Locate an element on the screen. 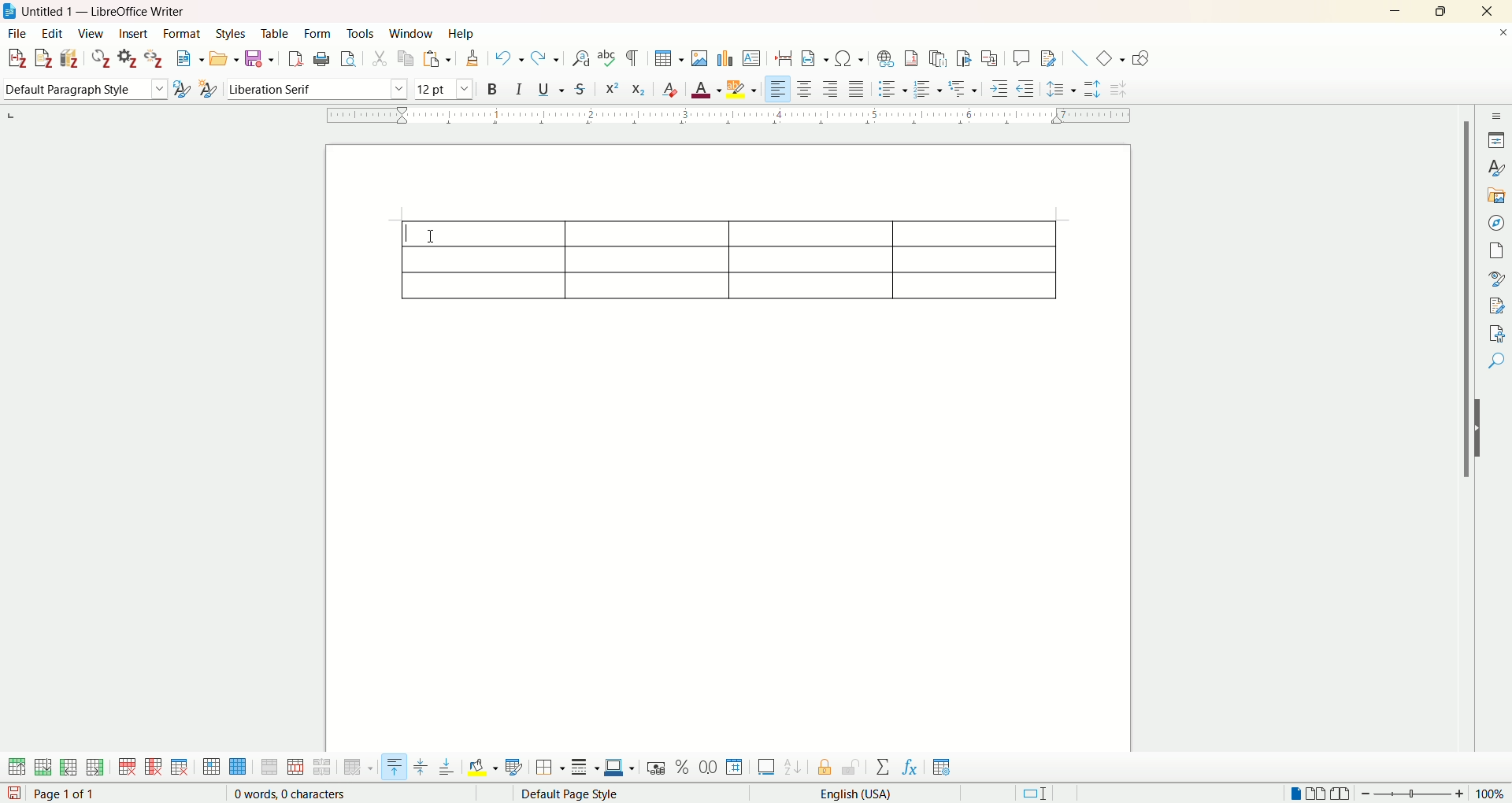 The height and width of the screenshot is (803, 1512). delete table is located at coordinates (182, 766).